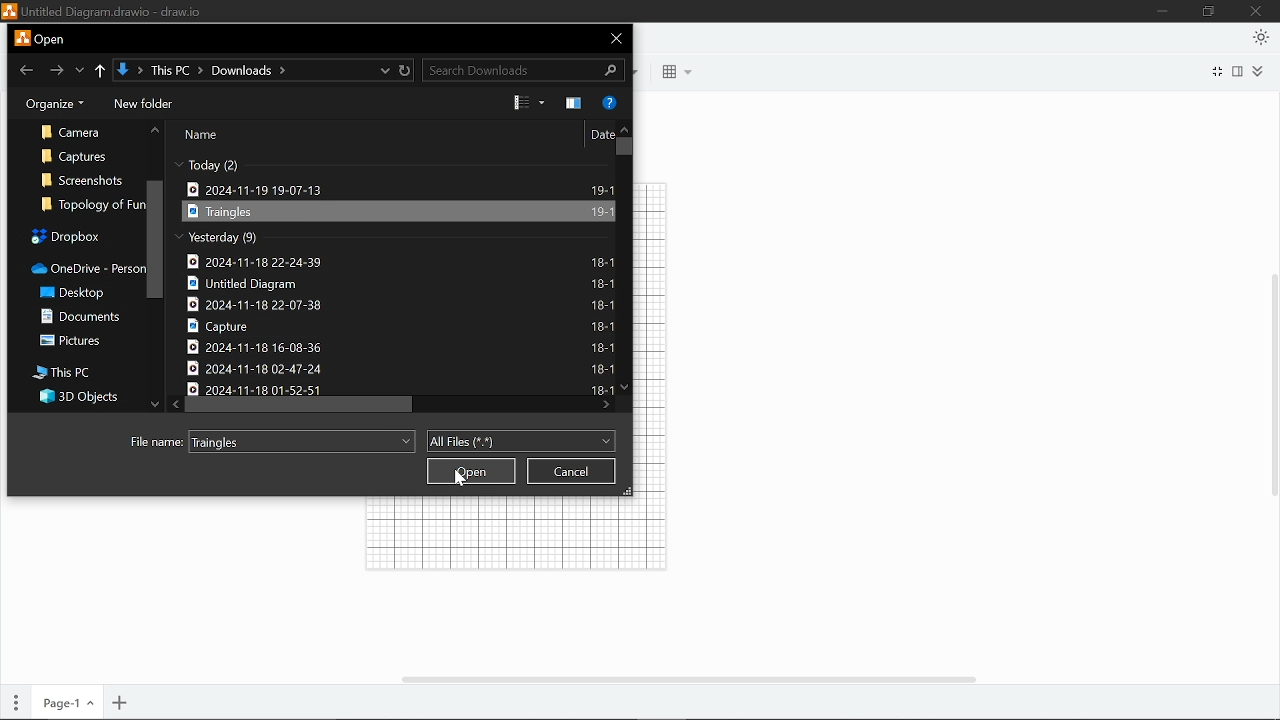 This screenshot has height=720, width=1280. What do you see at coordinates (401, 285) in the screenshot?
I see `Untitled Diagram       18-1` at bounding box center [401, 285].